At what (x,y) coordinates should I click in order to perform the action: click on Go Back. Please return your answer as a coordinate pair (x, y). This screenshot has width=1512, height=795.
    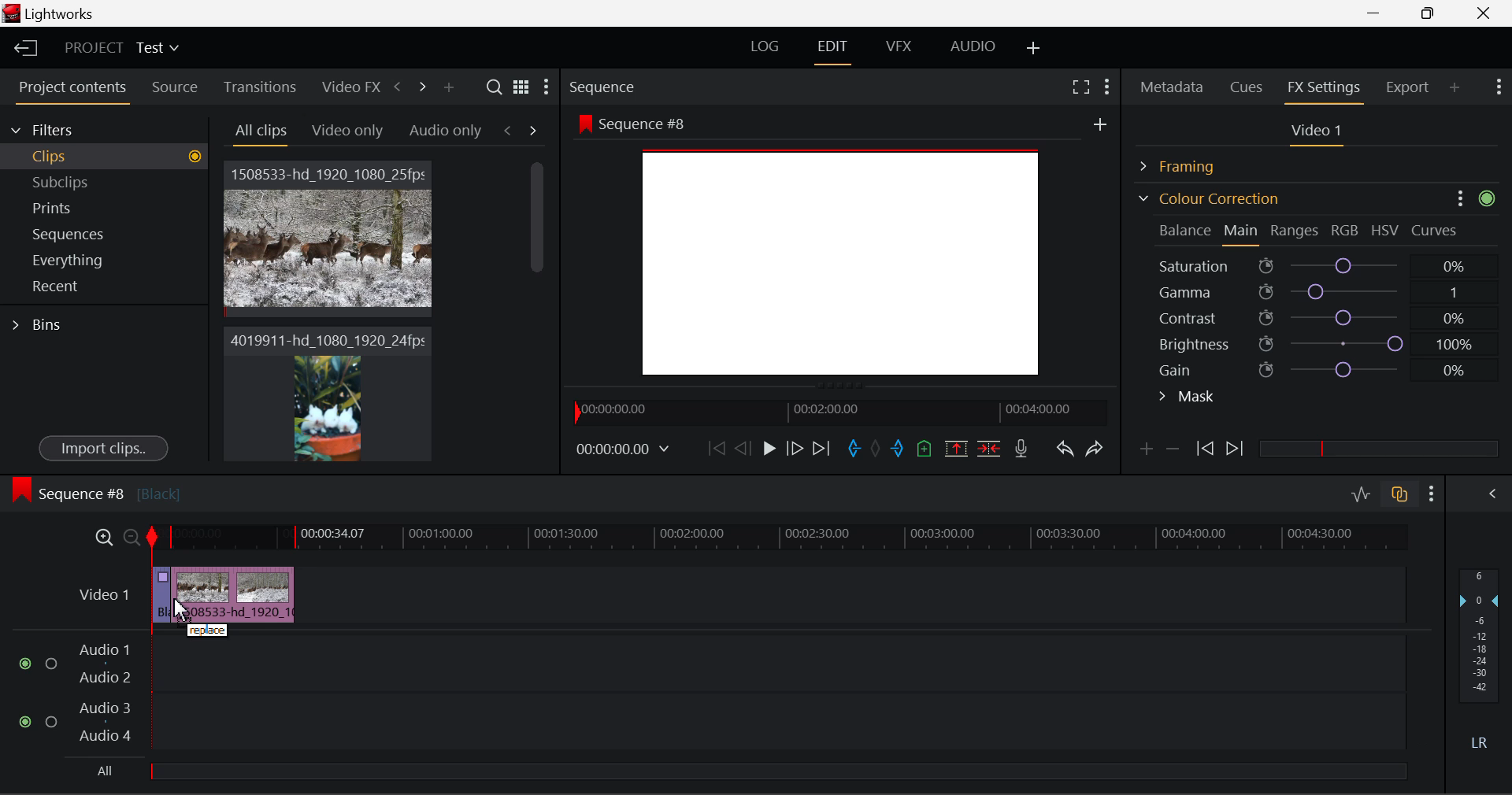
    Looking at the image, I should click on (745, 447).